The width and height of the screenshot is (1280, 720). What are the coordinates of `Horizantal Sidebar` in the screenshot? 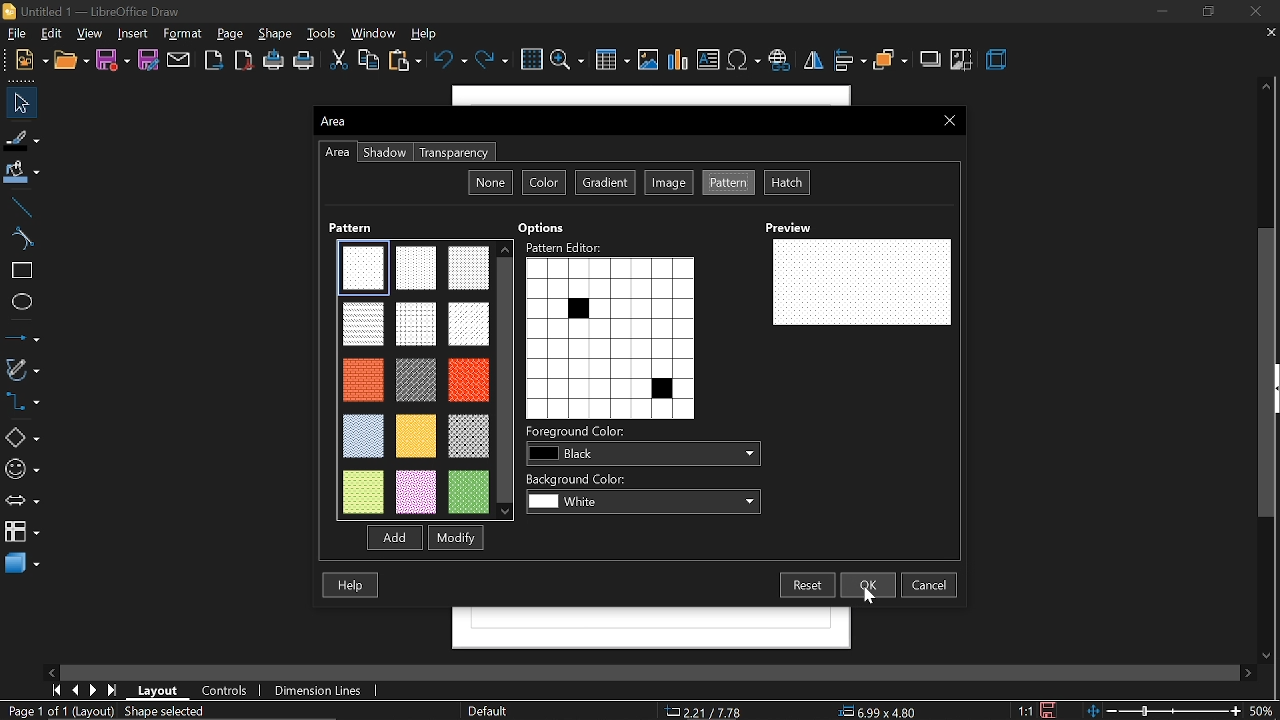 It's located at (645, 670).